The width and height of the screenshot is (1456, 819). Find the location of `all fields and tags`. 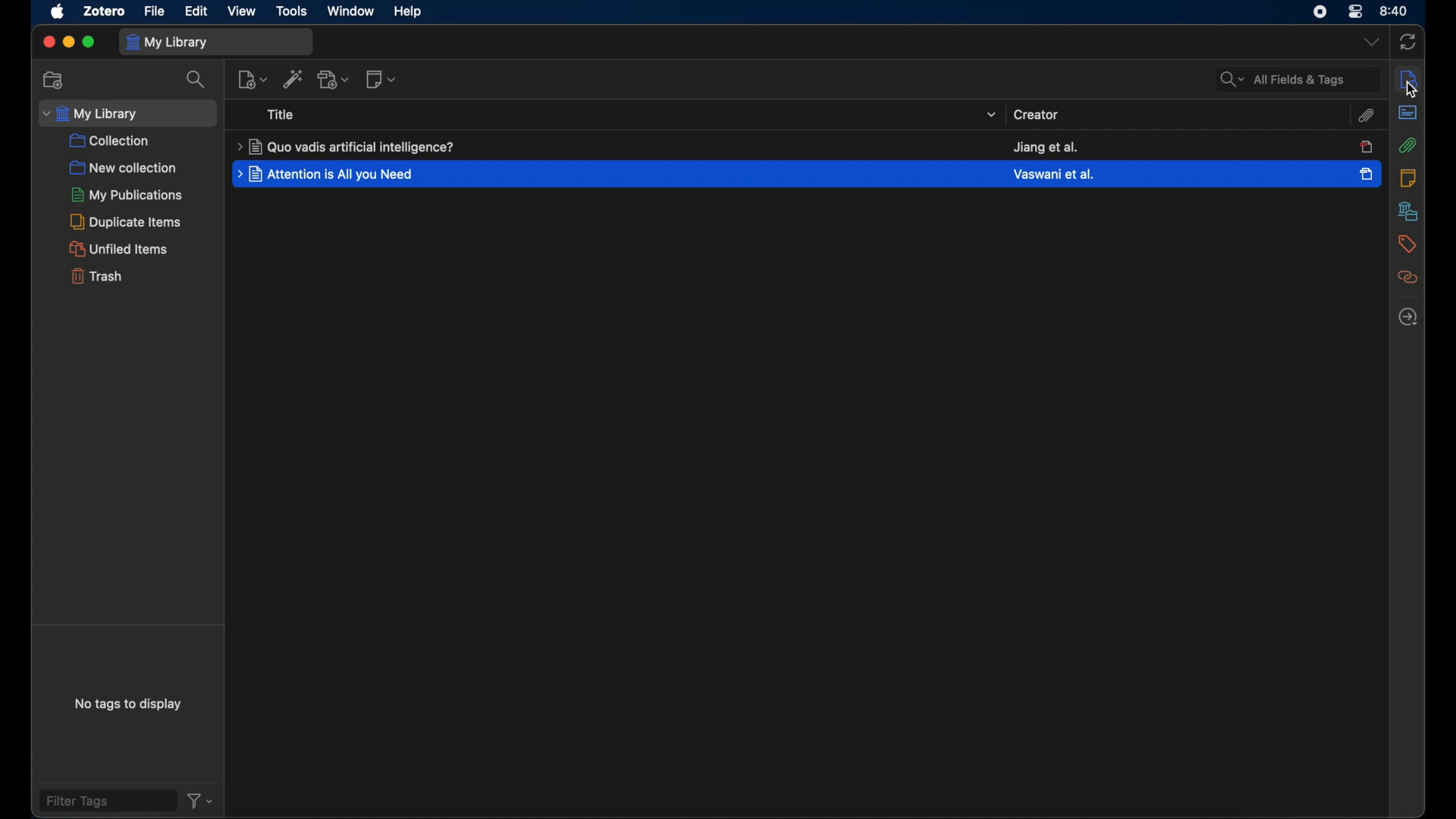

all fields and tags is located at coordinates (1298, 79).